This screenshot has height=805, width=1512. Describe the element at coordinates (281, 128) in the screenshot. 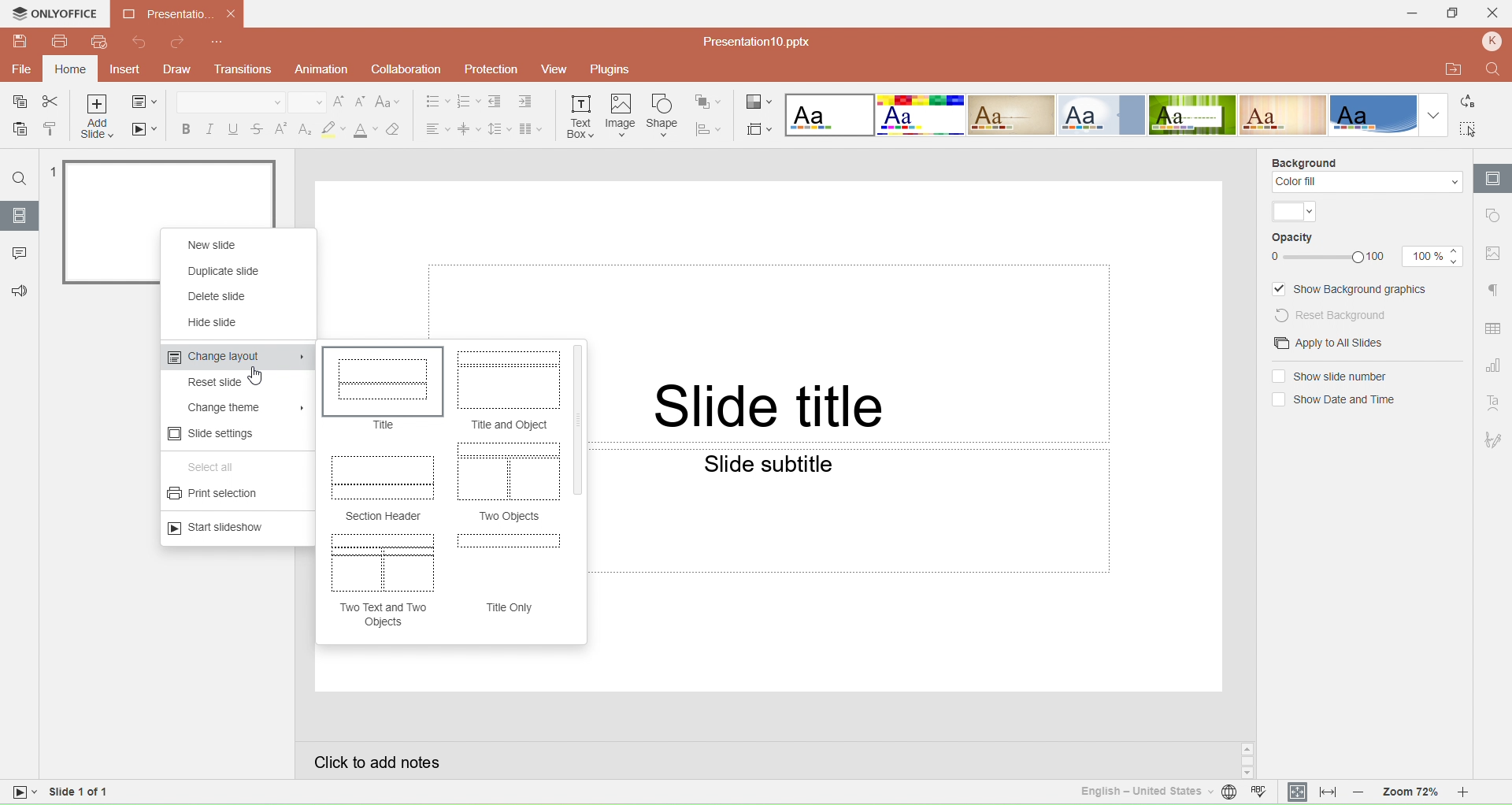

I see `Superscript` at that location.